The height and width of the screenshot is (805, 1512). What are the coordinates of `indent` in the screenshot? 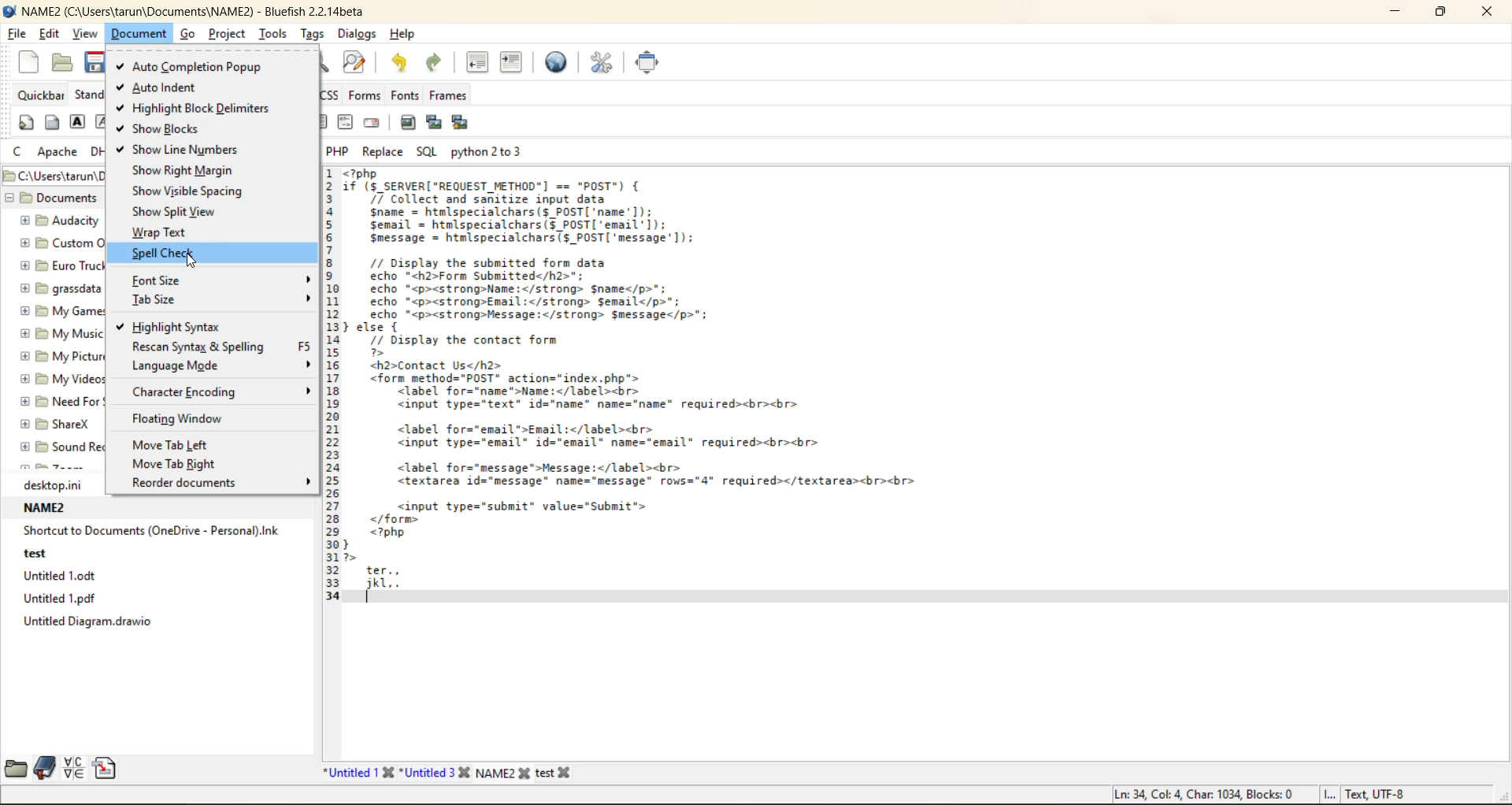 It's located at (510, 61).